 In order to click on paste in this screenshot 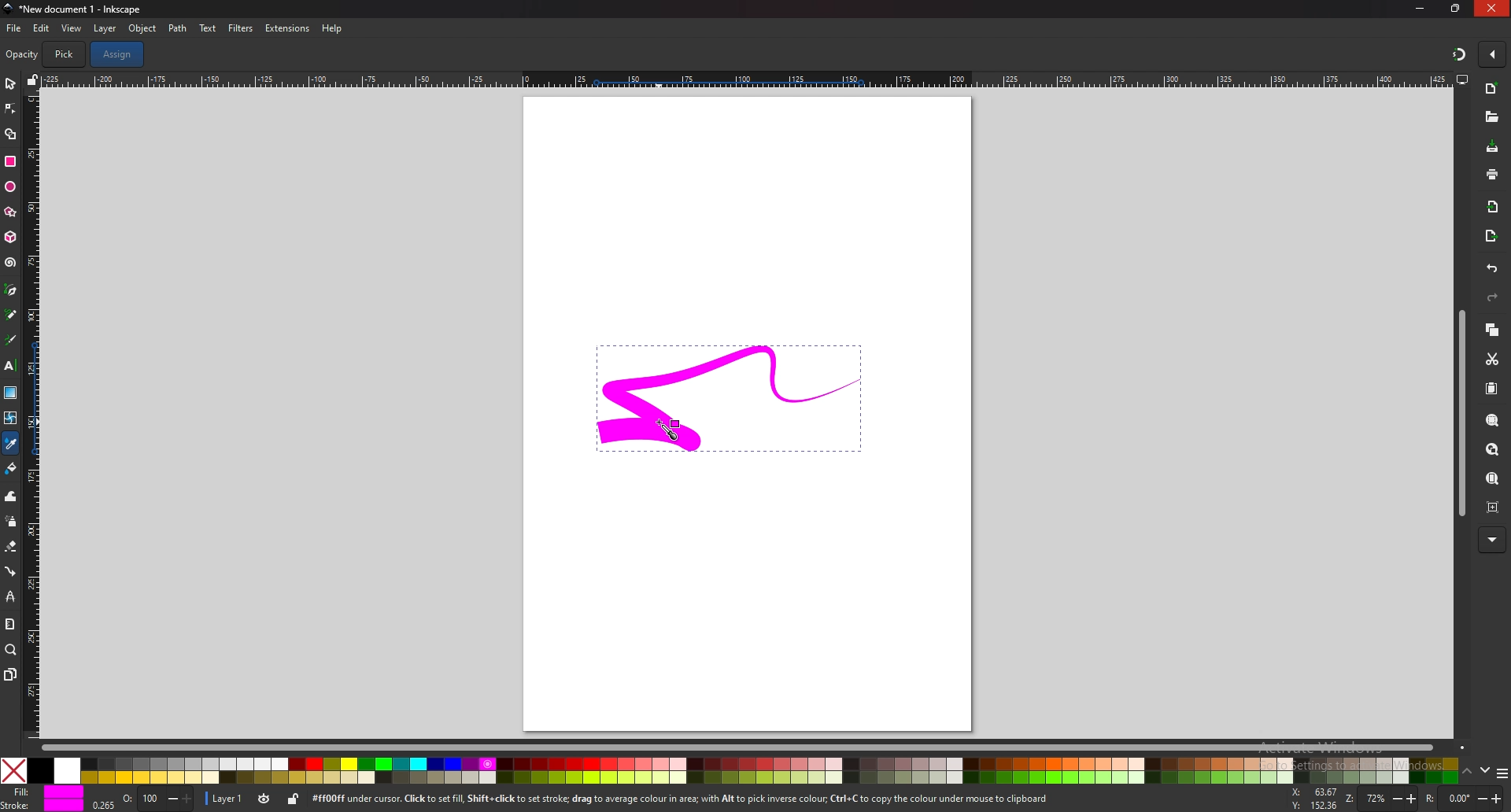, I will do `click(1494, 387)`.